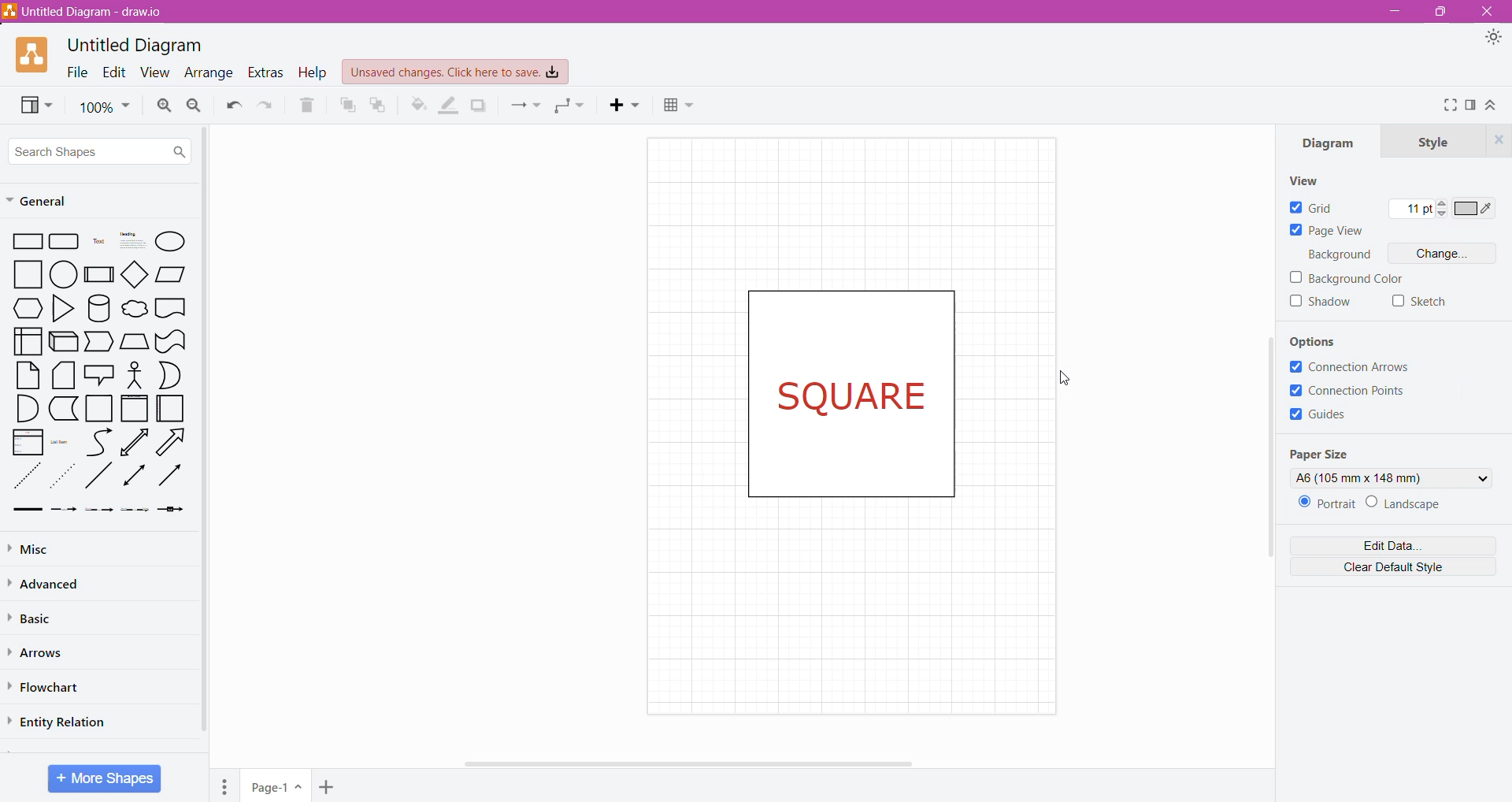  I want to click on frame, so click(134, 408).